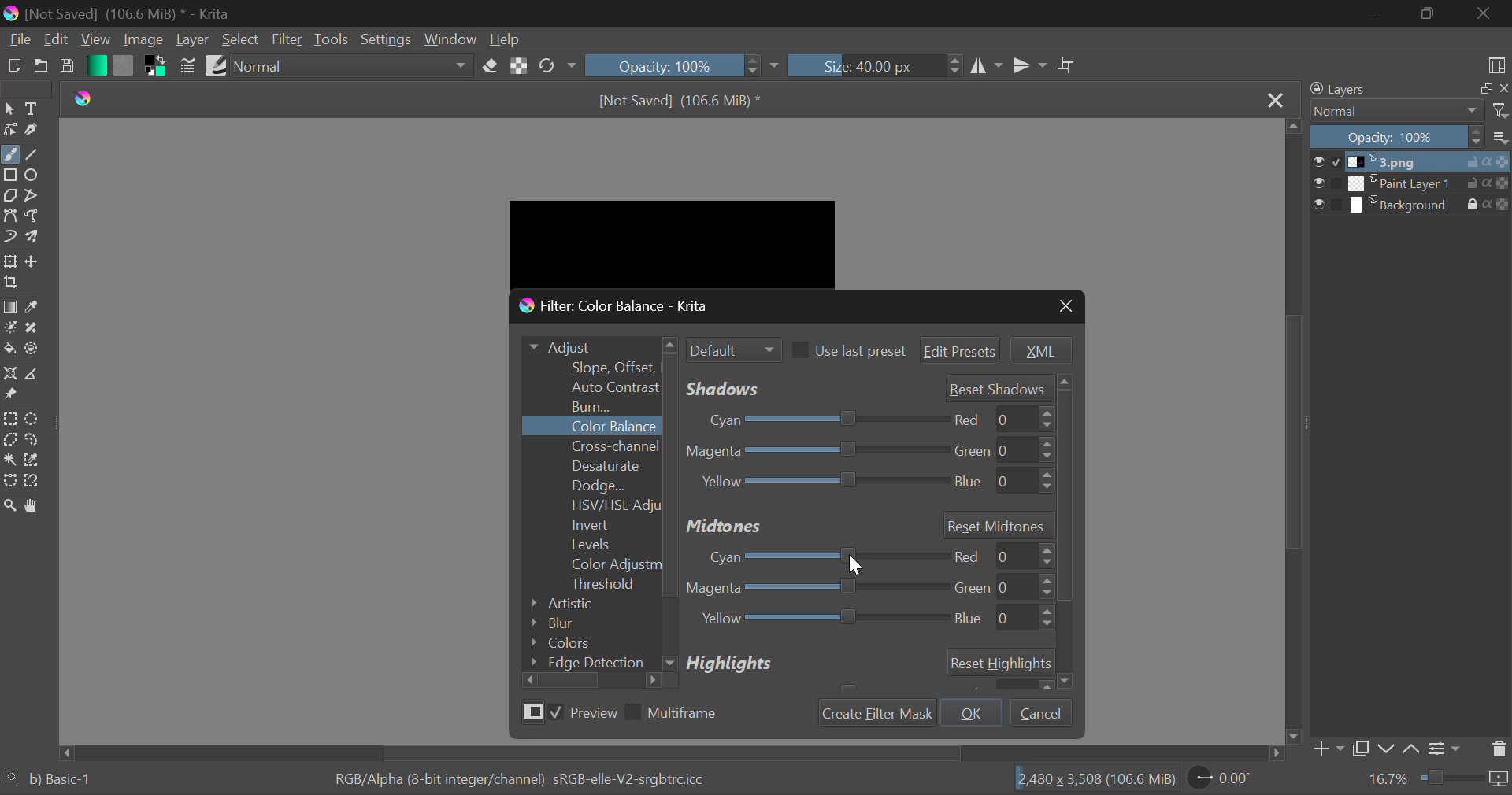 This screenshot has width=1512, height=795. Describe the element at coordinates (973, 712) in the screenshot. I see `OK` at that location.